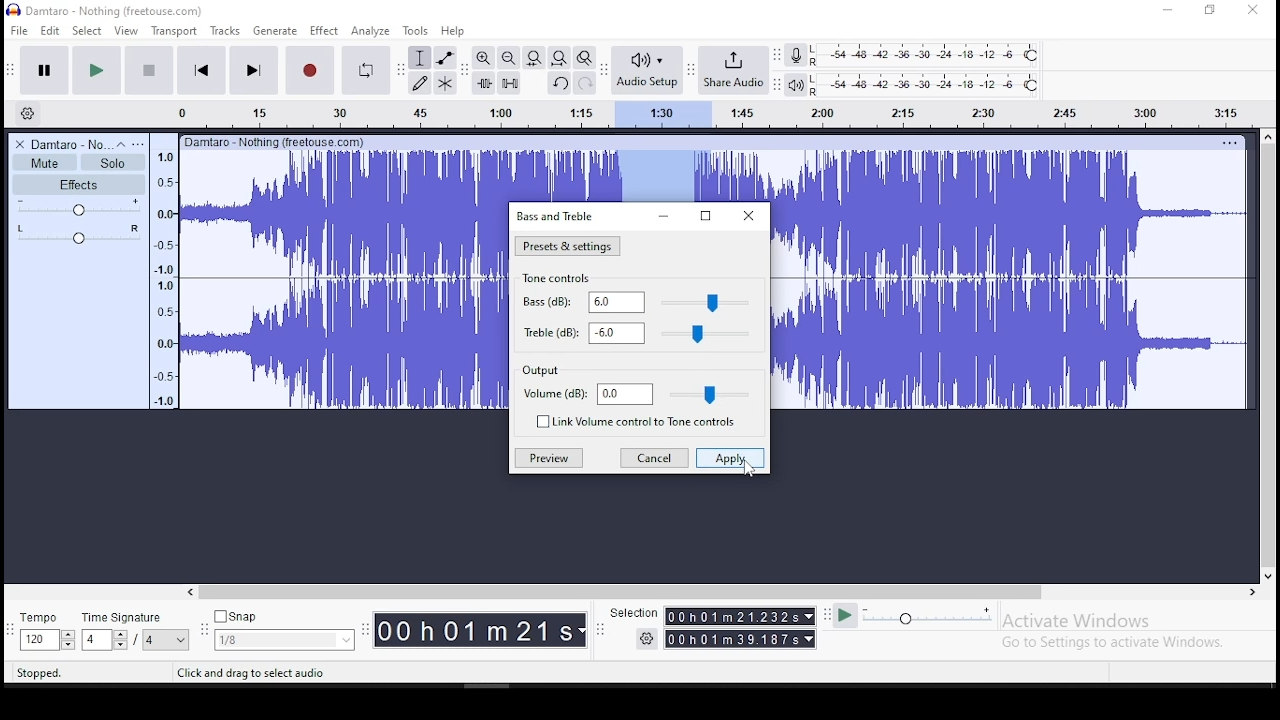 The height and width of the screenshot is (720, 1280). I want to click on , so click(825, 615).